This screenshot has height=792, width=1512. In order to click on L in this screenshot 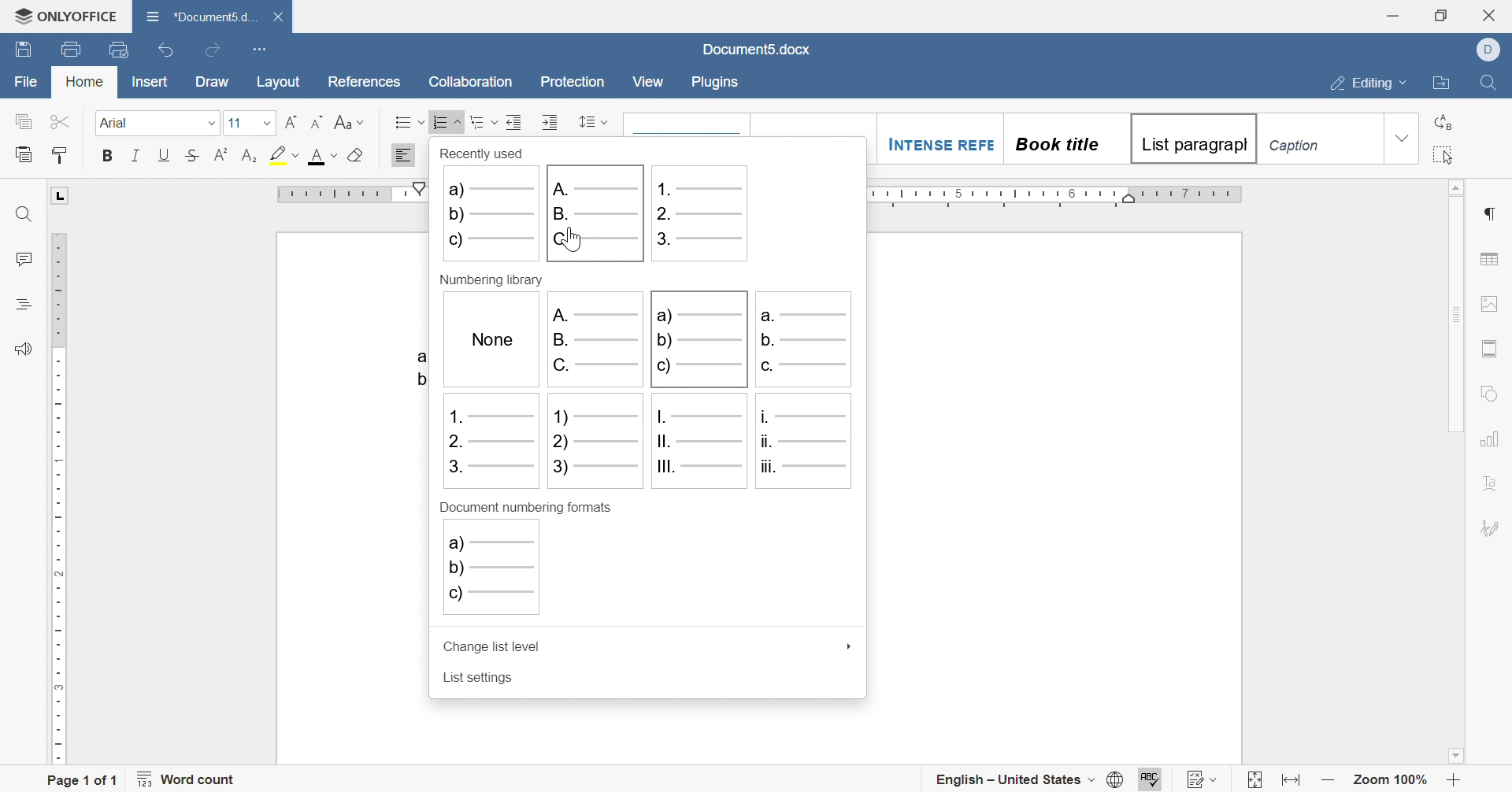, I will do `click(62, 196)`.